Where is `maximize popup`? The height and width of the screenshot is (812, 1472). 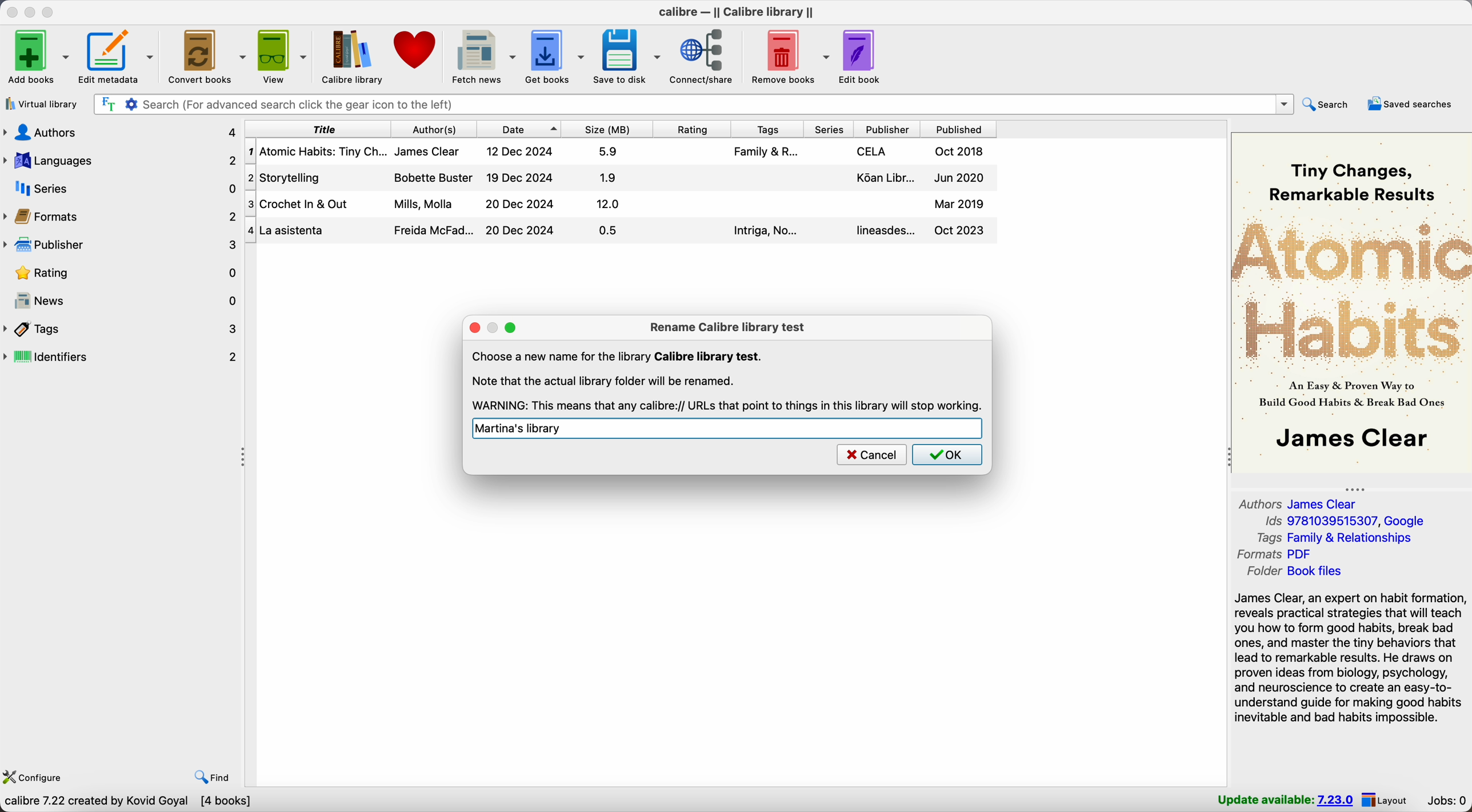 maximize popup is located at coordinates (515, 326).